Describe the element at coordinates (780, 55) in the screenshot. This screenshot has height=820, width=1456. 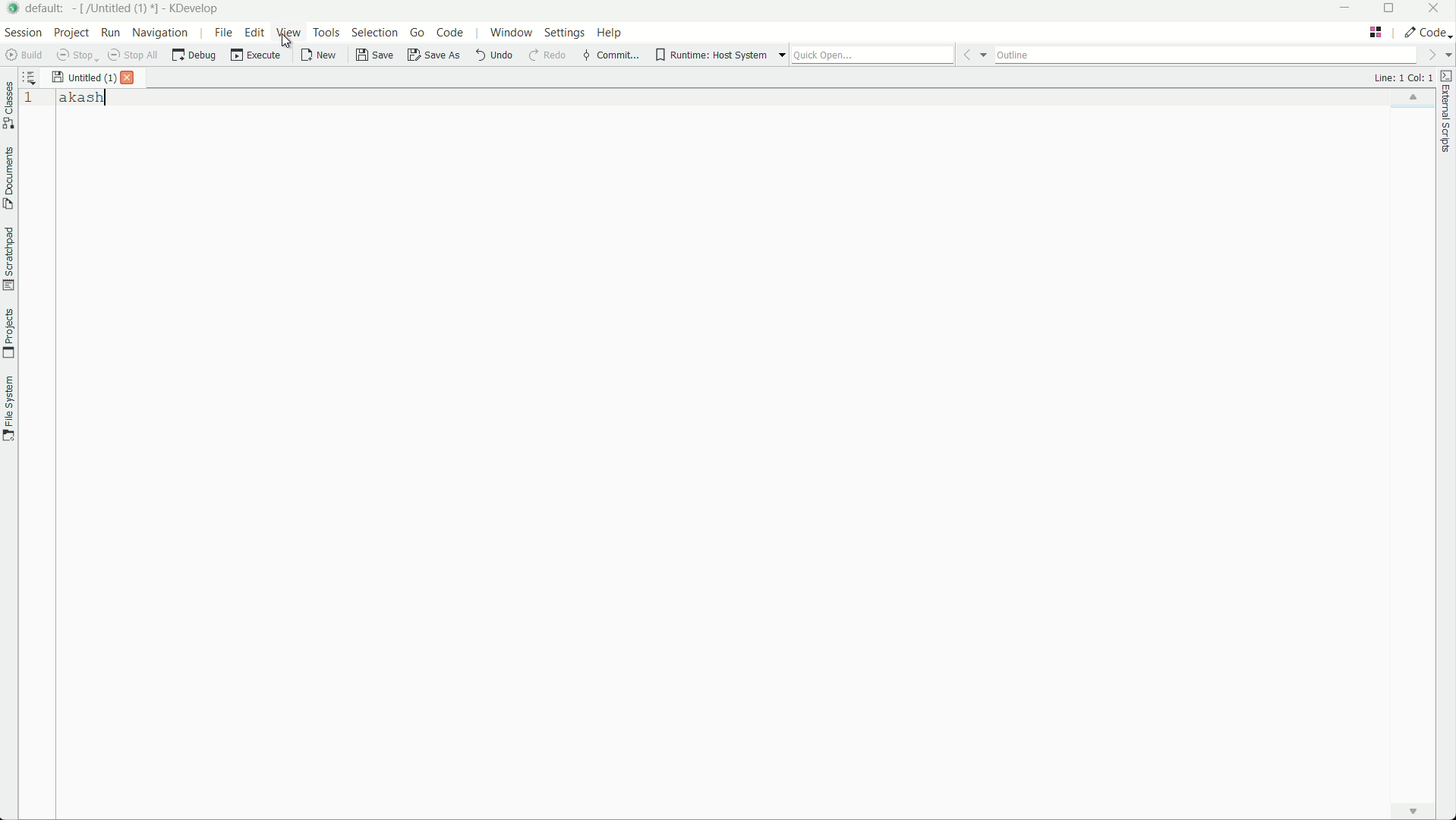
I see `more options` at that location.